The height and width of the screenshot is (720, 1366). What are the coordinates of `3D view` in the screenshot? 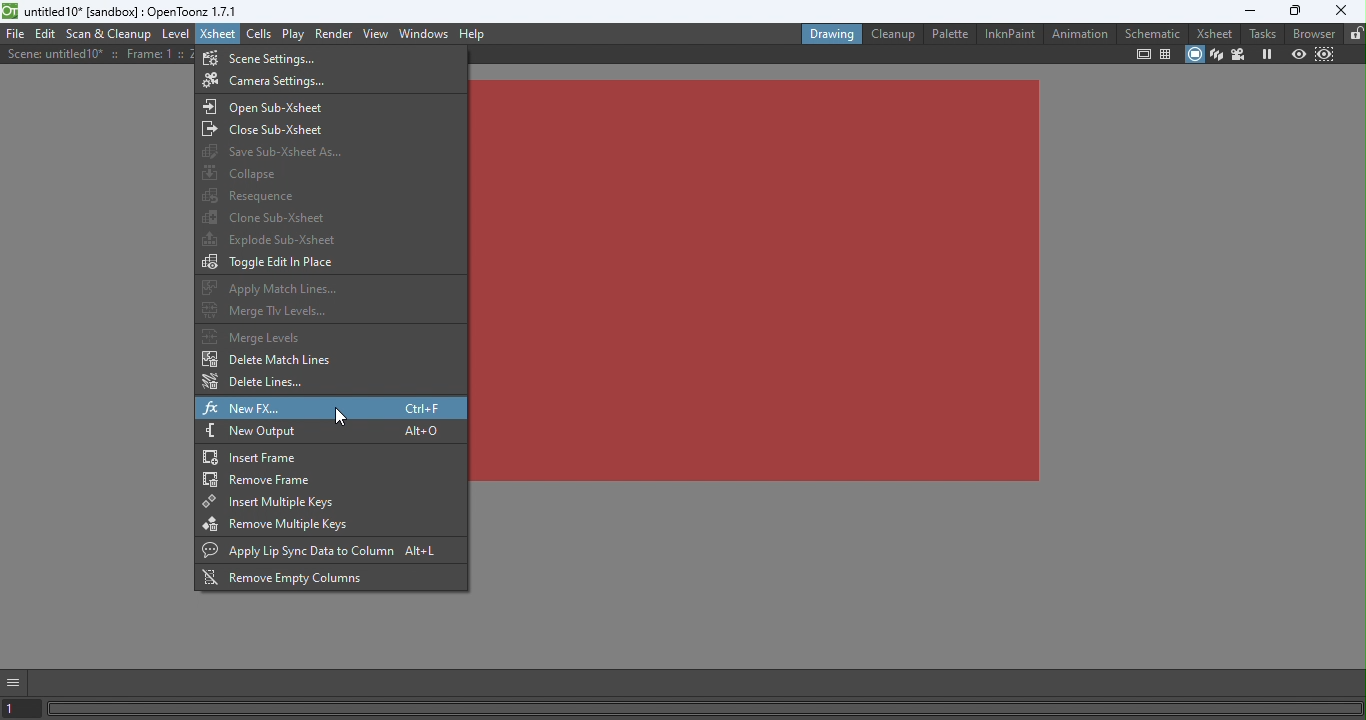 It's located at (1217, 53).